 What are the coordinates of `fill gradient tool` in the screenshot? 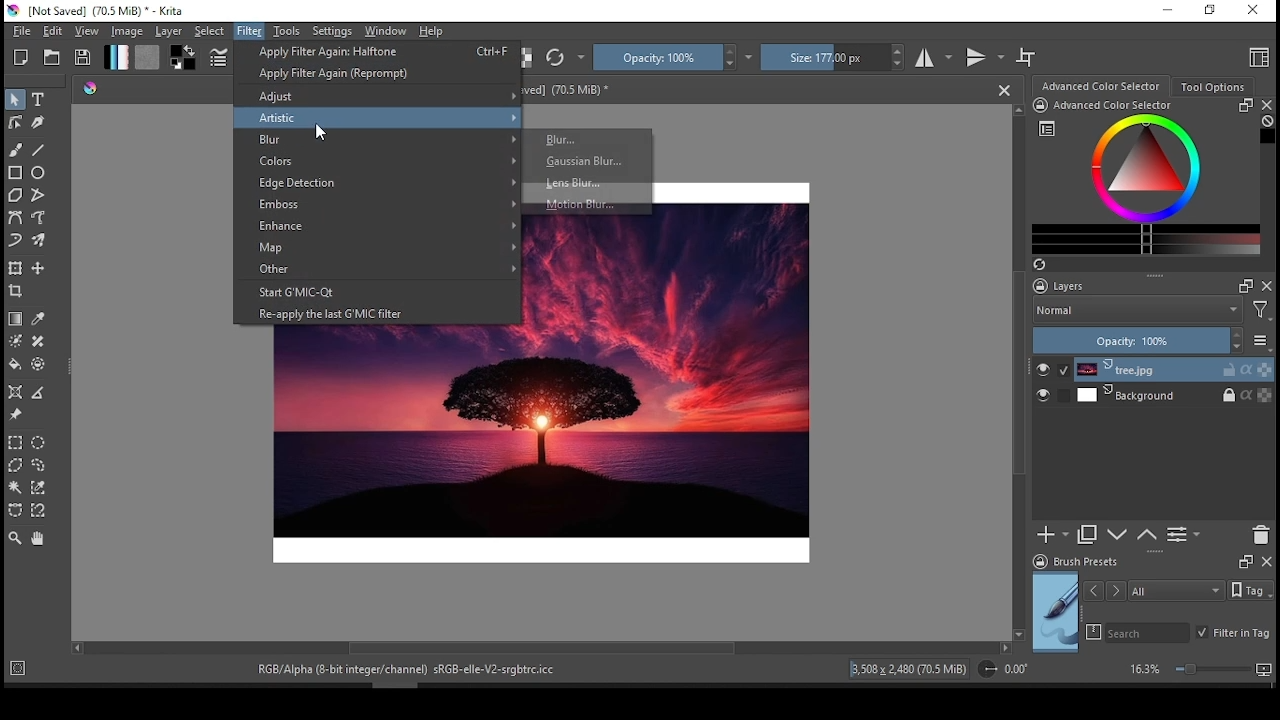 It's located at (116, 57).